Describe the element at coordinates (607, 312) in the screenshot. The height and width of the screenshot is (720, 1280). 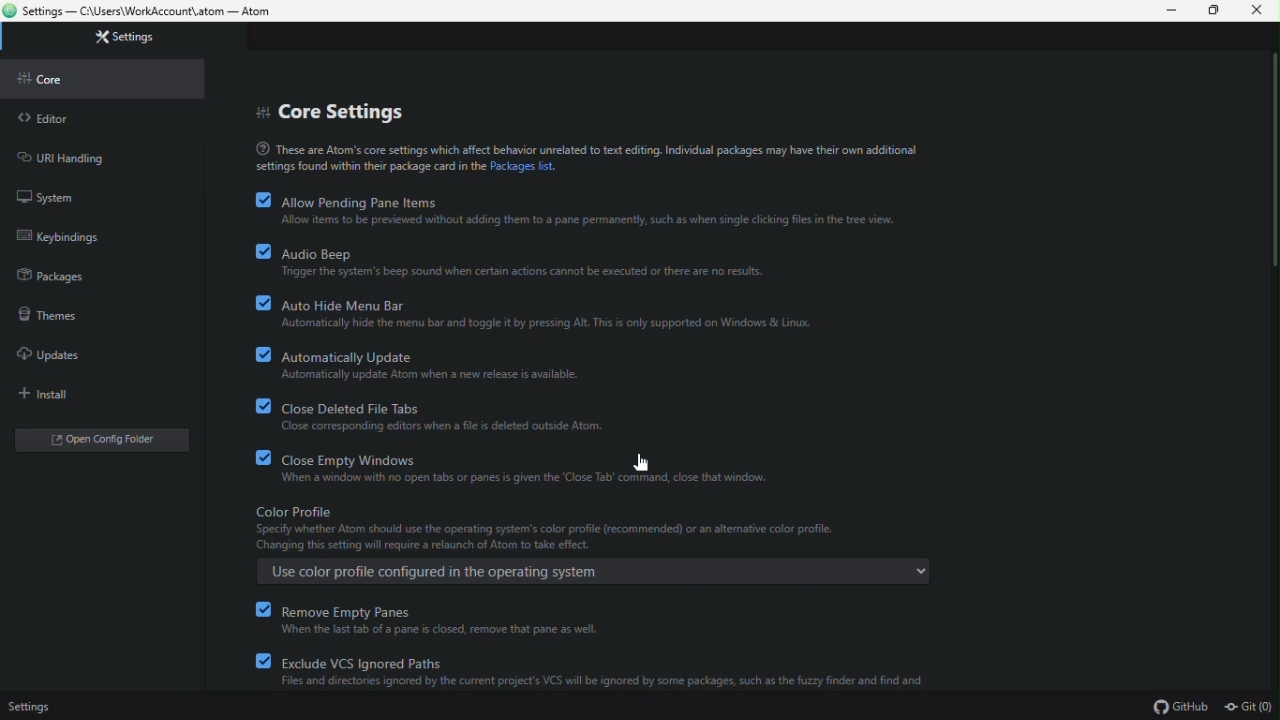
I see `Auto hide menu bar` at that location.